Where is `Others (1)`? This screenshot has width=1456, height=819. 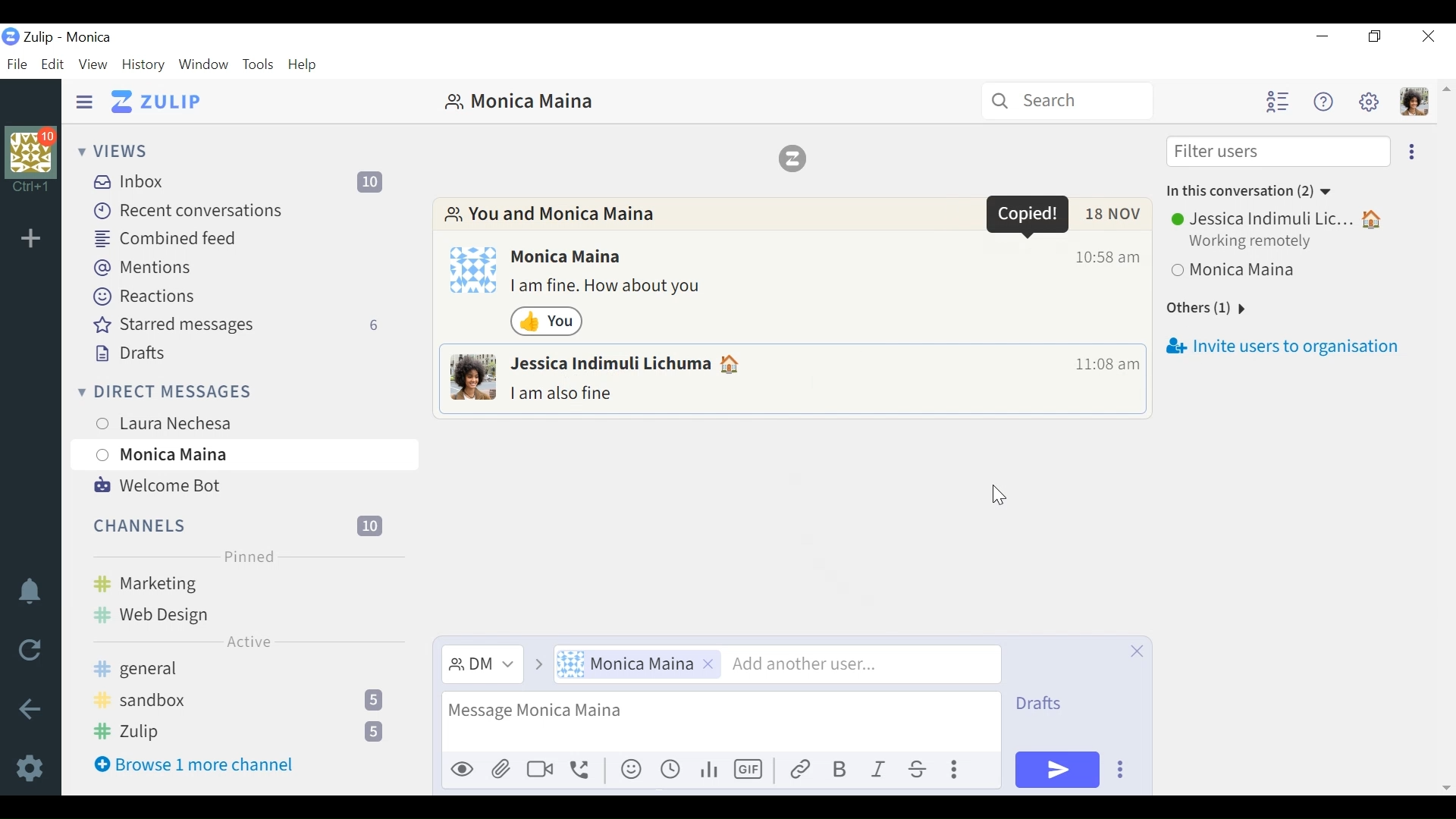
Others (1) is located at coordinates (1209, 308).